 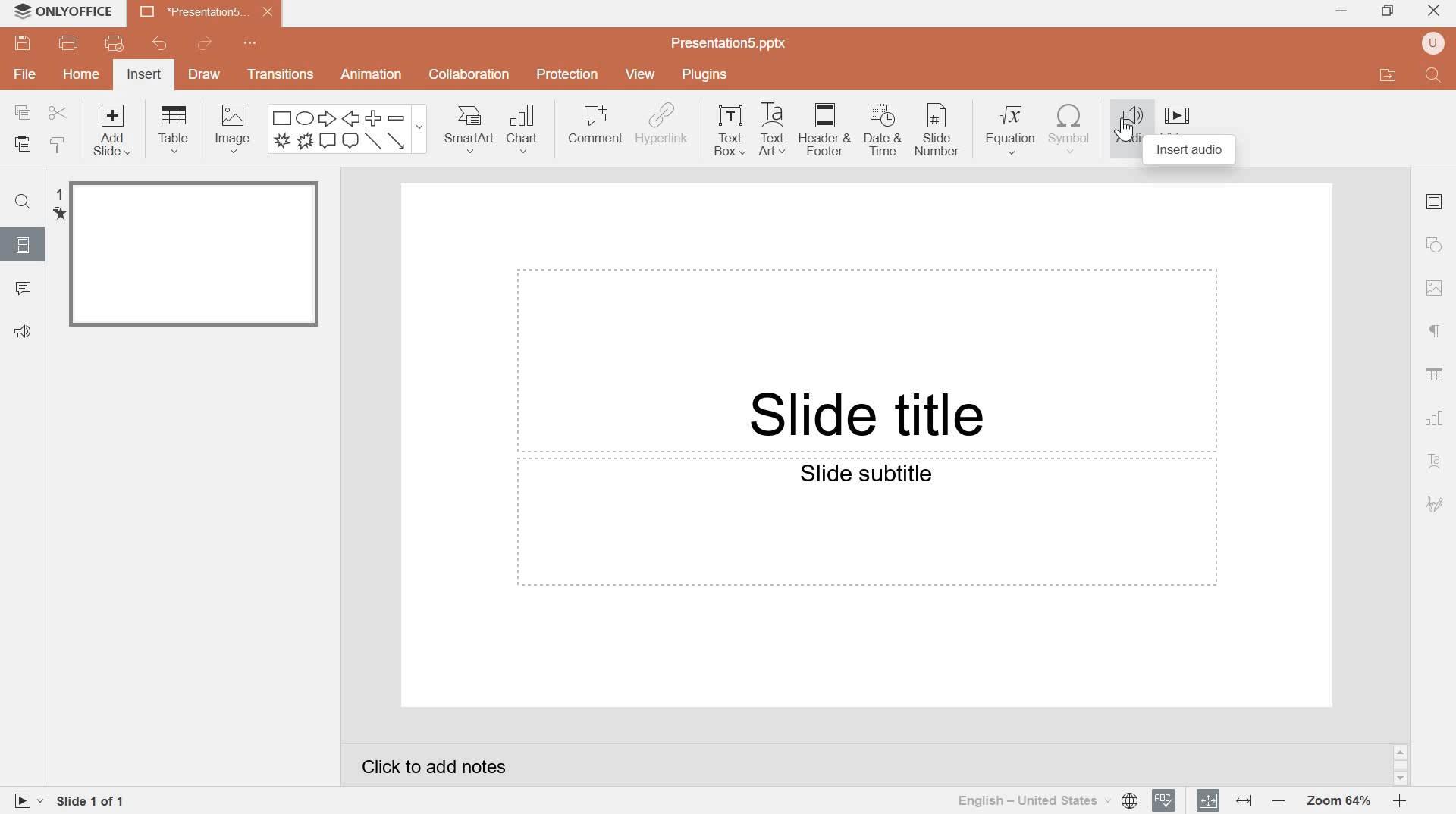 What do you see at coordinates (194, 255) in the screenshot?
I see `Slide transition - Fade` at bounding box center [194, 255].